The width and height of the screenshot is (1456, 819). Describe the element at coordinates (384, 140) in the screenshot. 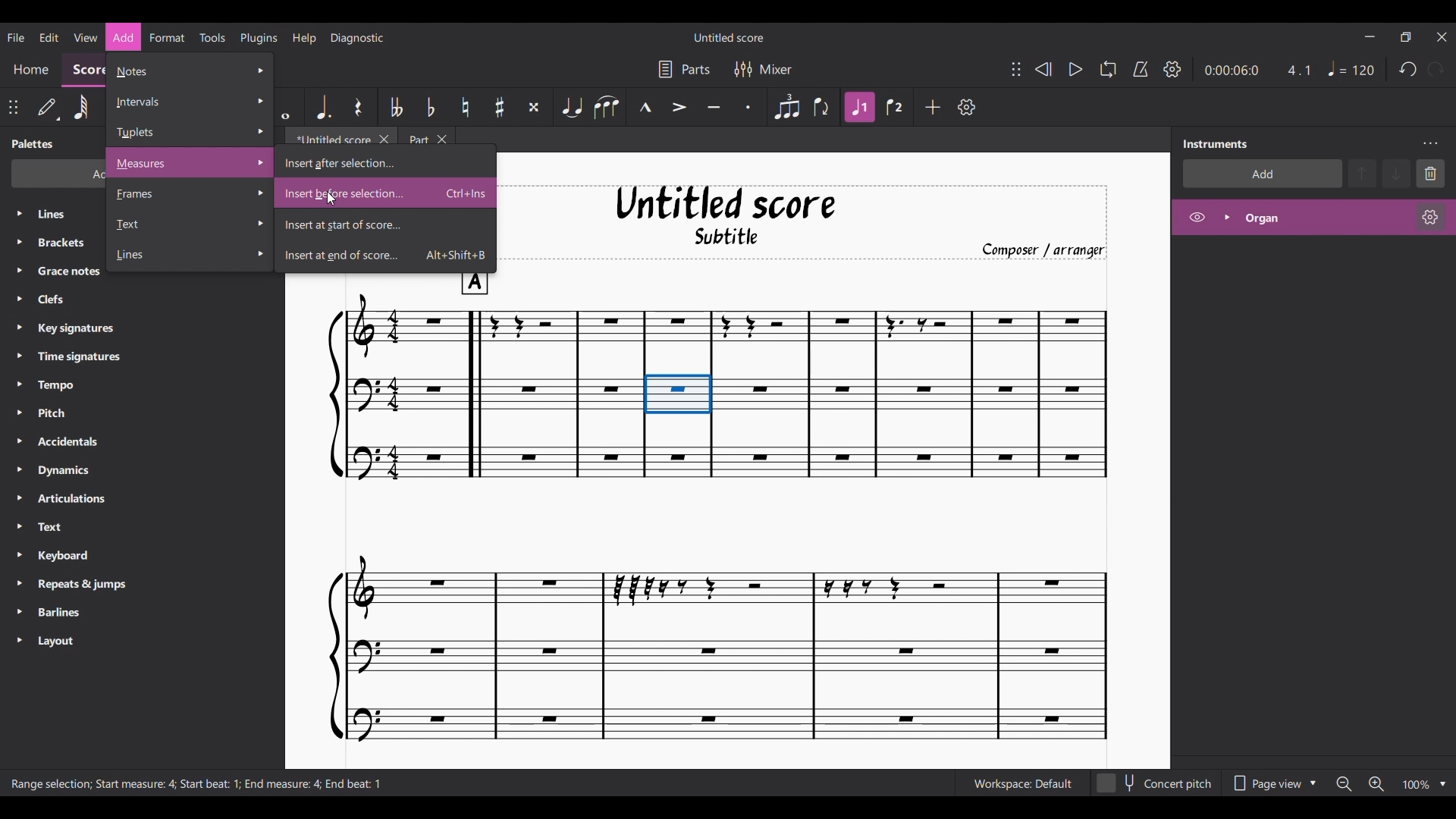

I see `Close Untitled tab` at that location.